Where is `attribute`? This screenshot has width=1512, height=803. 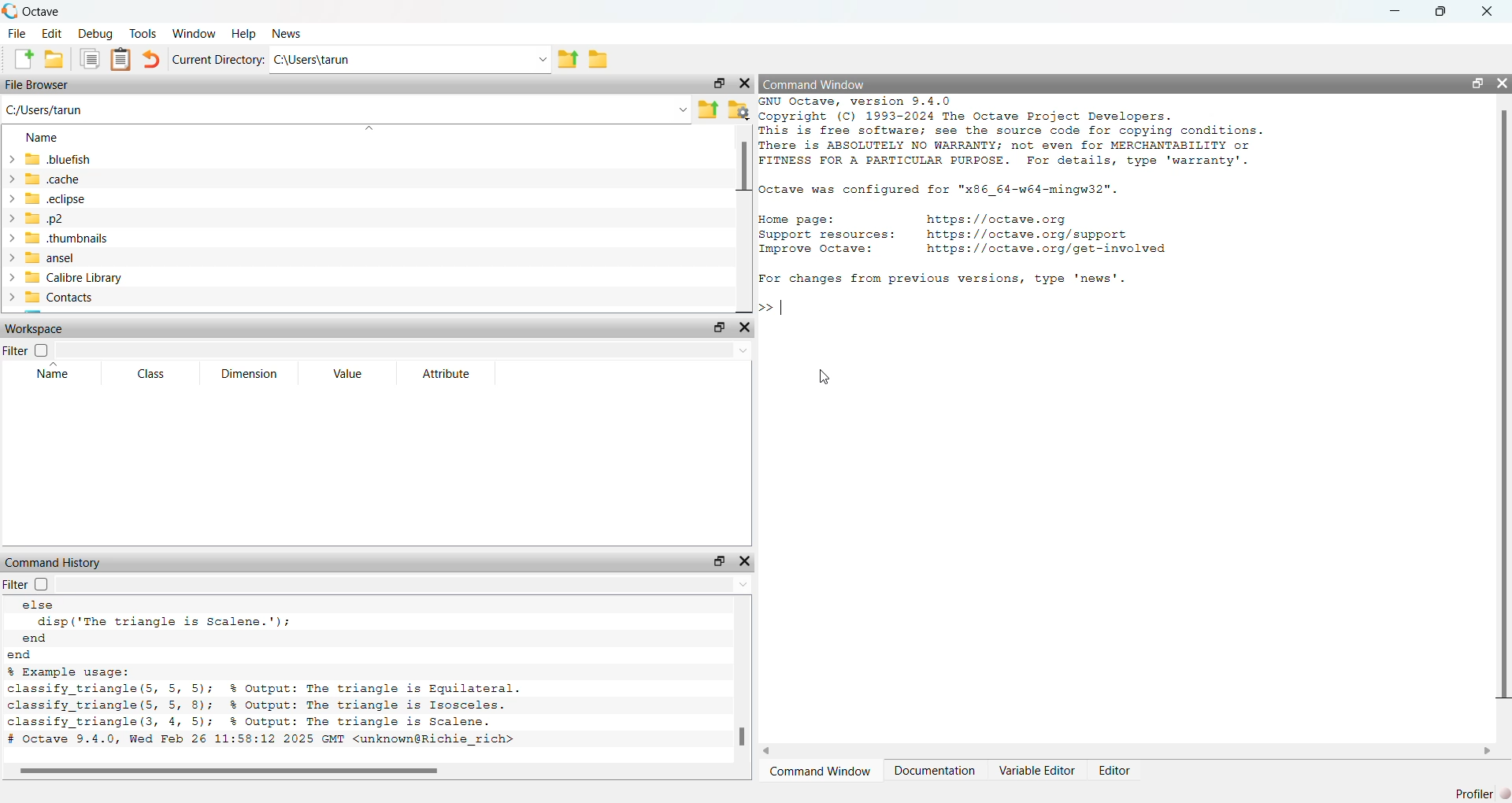 attribute is located at coordinates (444, 374).